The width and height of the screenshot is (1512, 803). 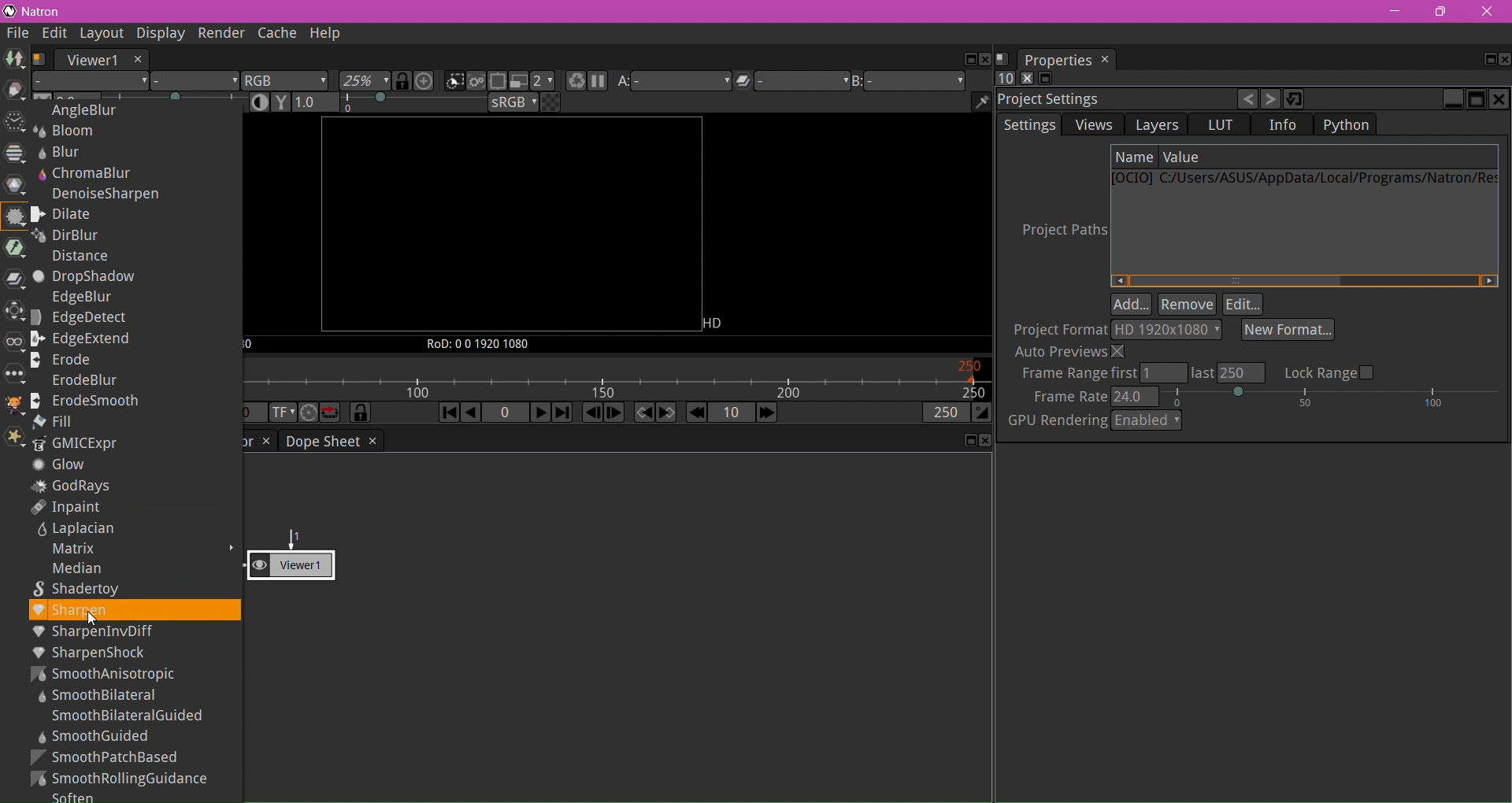 What do you see at coordinates (616, 379) in the screenshot?
I see `The playback frame` at bounding box center [616, 379].